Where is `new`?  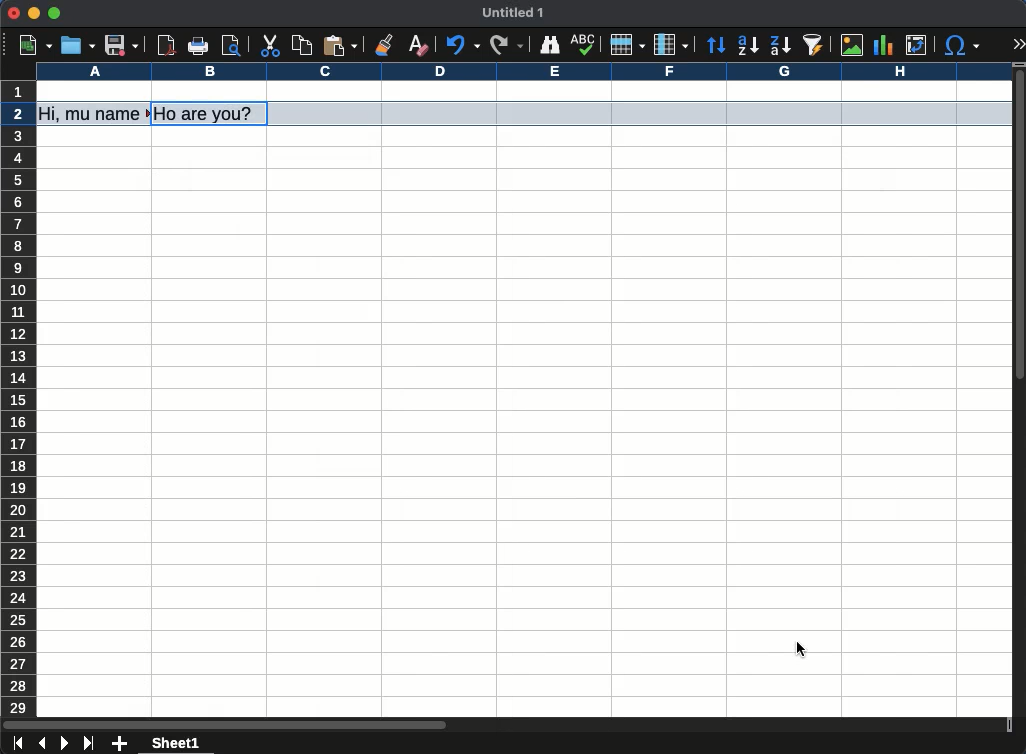 new is located at coordinates (35, 46).